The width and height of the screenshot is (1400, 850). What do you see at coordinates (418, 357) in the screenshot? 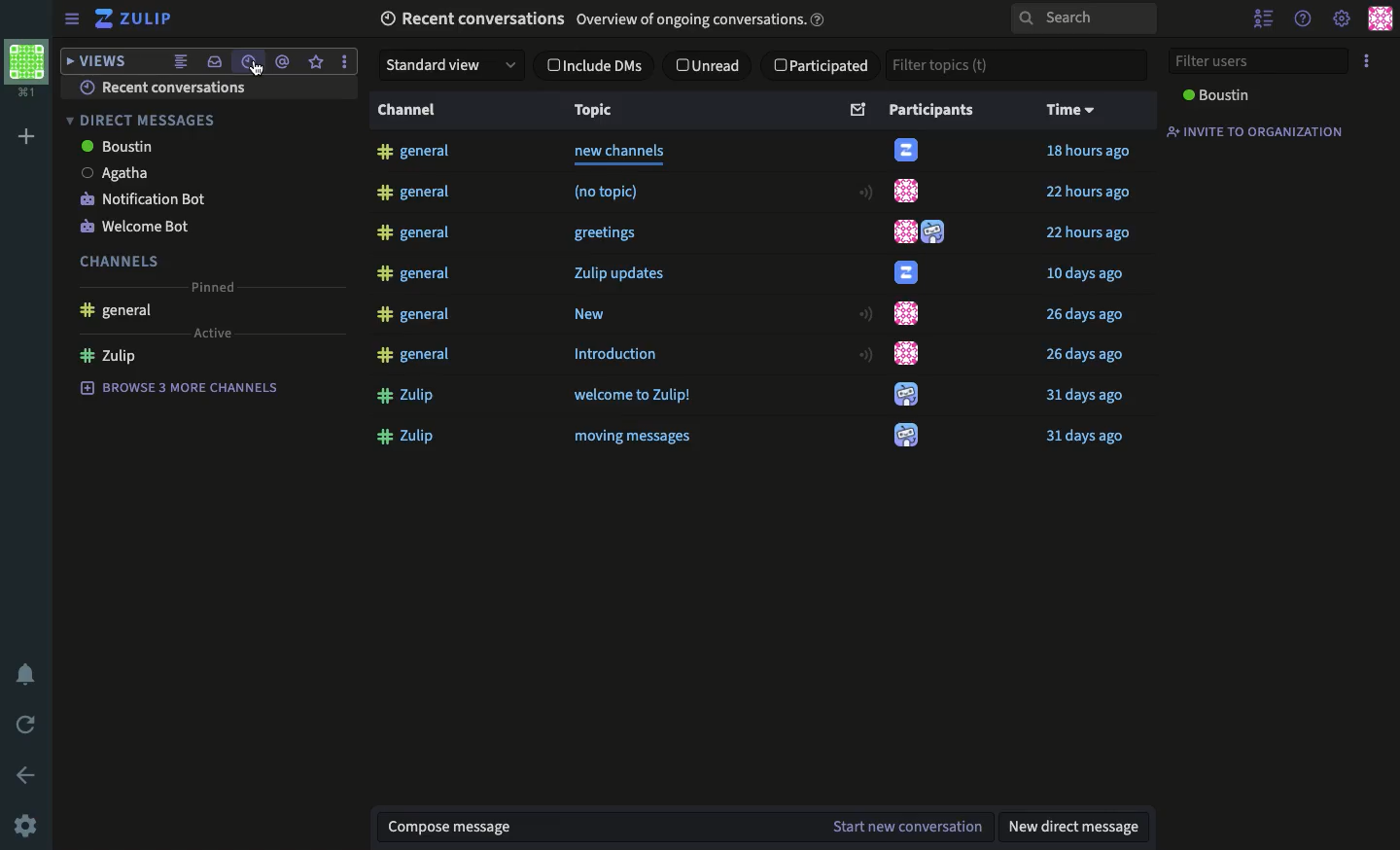
I see `general` at bounding box center [418, 357].